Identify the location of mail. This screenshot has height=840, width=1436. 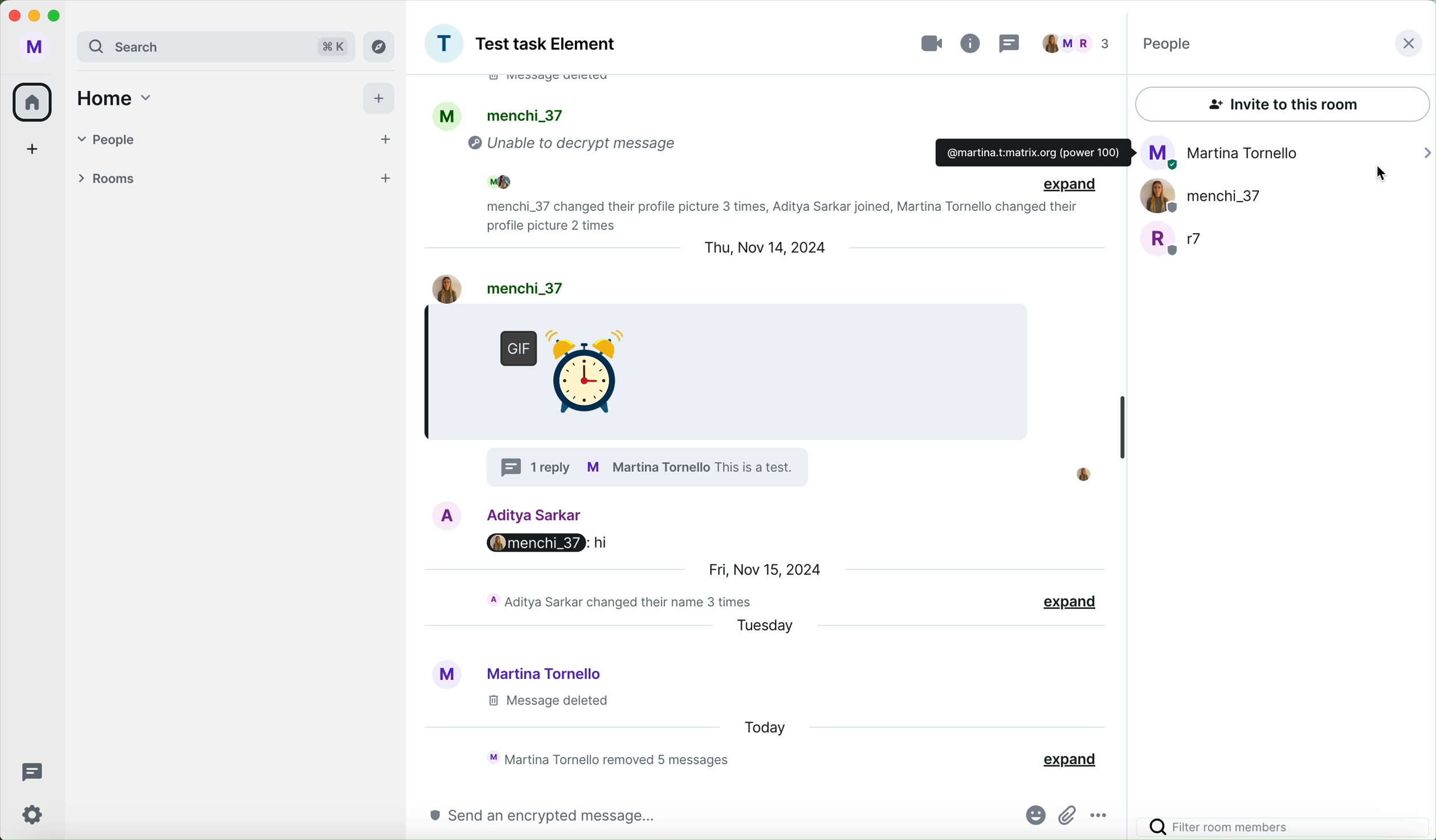
(1033, 152).